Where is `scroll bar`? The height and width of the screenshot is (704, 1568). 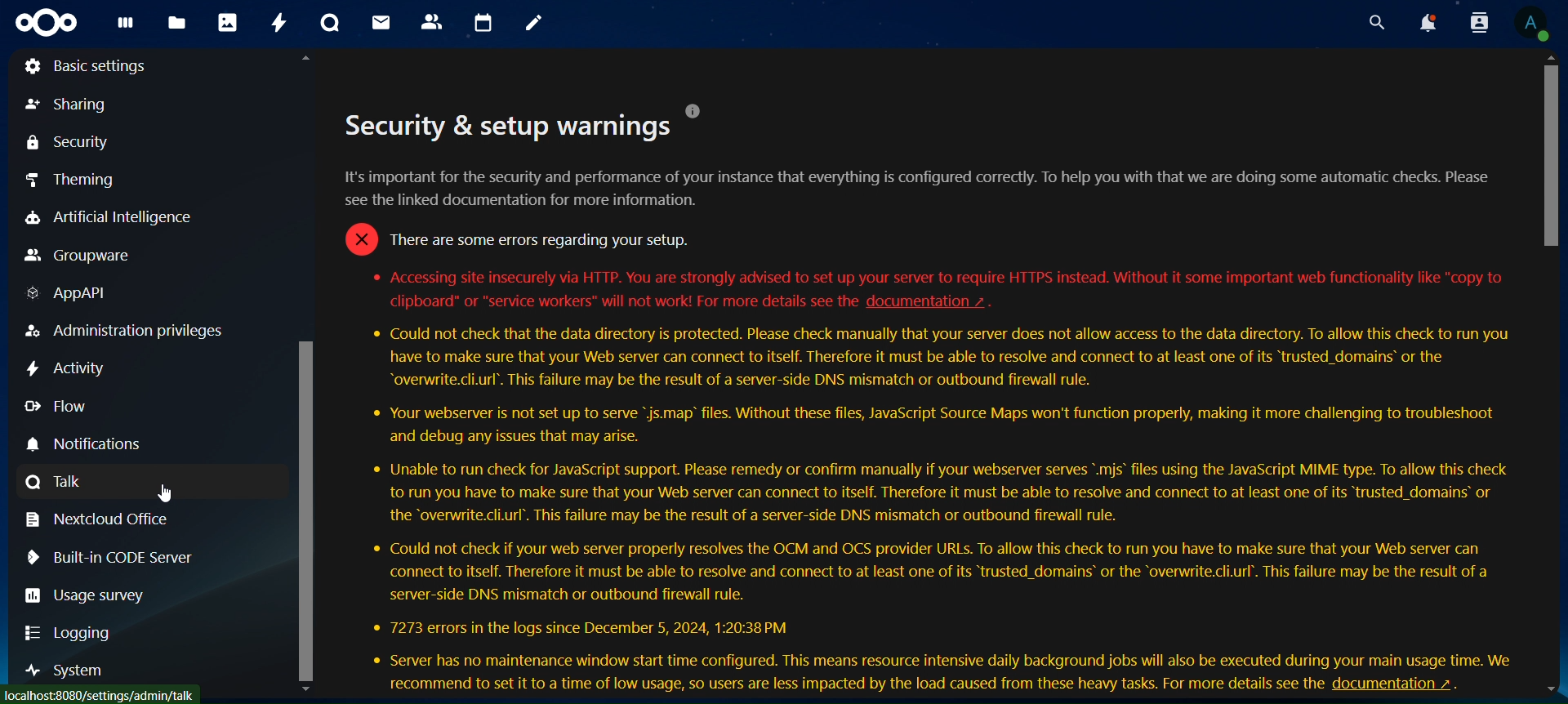 scroll bar is located at coordinates (303, 510).